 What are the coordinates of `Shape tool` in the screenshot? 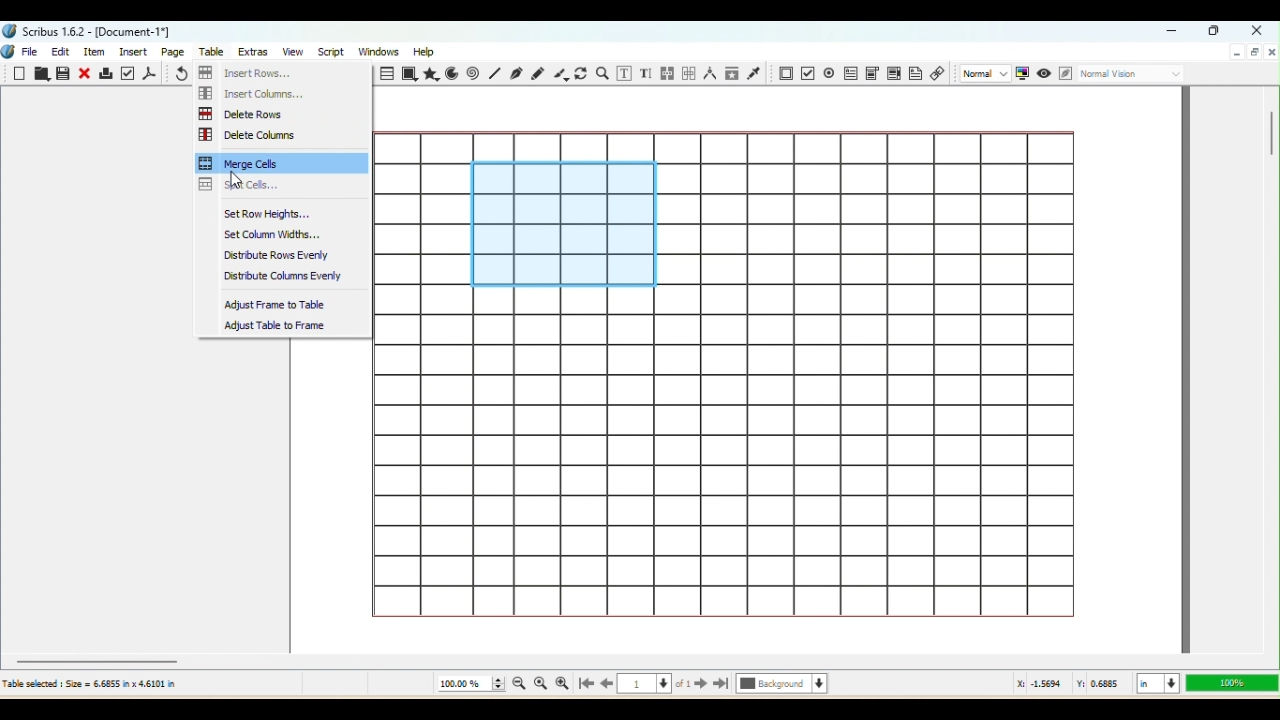 It's located at (410, 74).